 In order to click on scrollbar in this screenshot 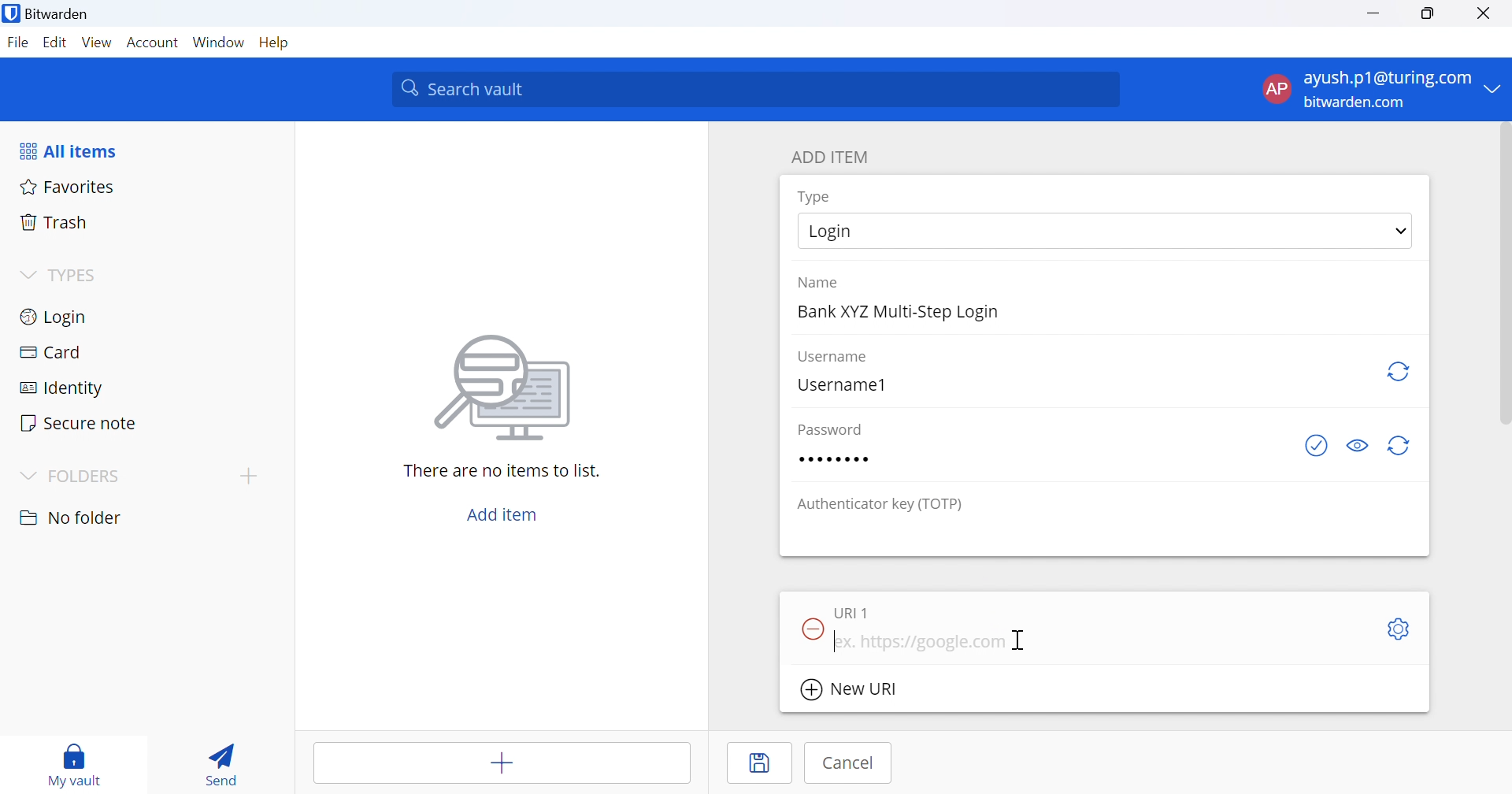, I will do `click(1503, 276)`.